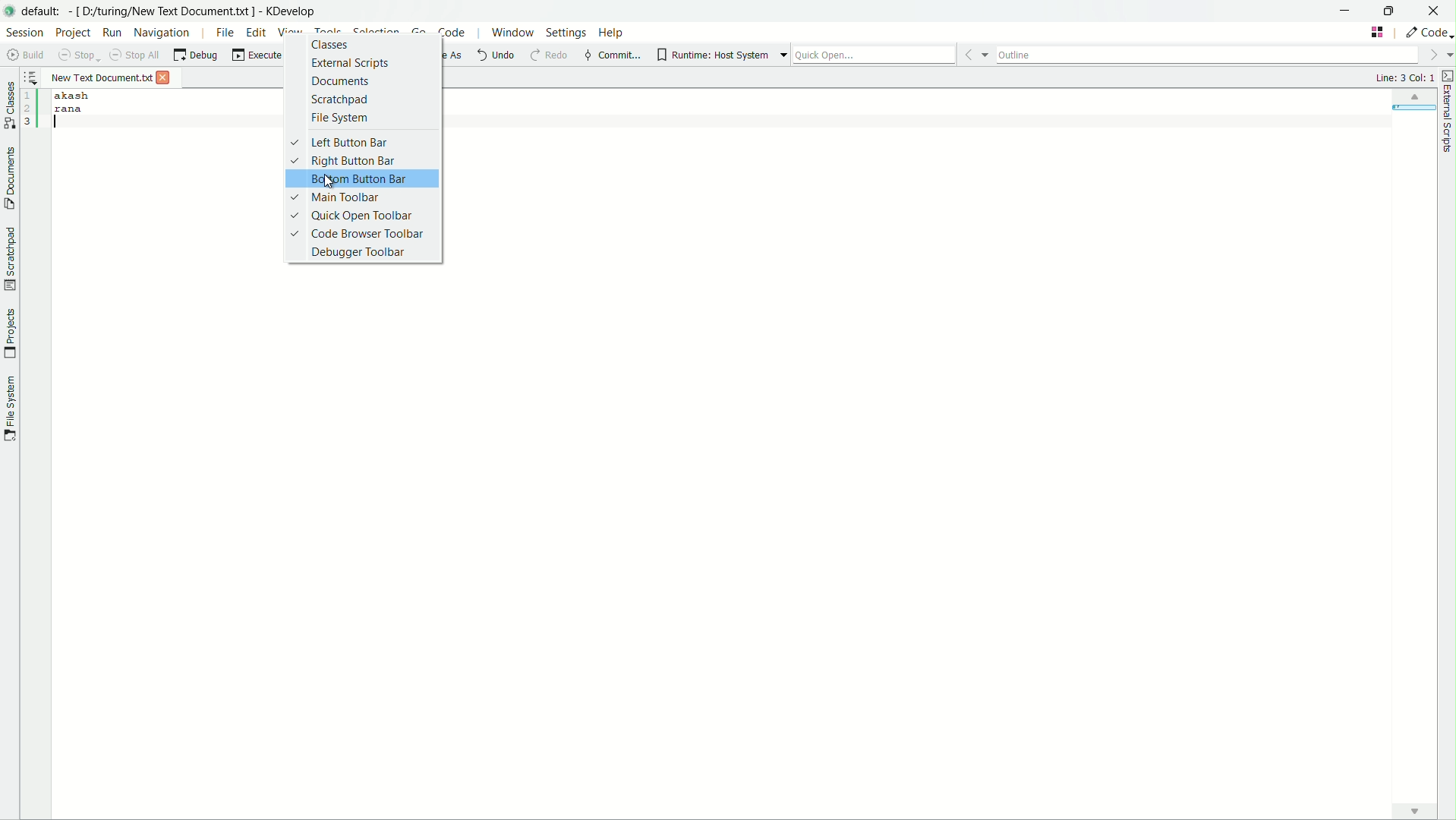  What do you see at coordinates (11, 260) in the screenshot?
I see `toggle scratchpad ` at bounding box center [11, 260].